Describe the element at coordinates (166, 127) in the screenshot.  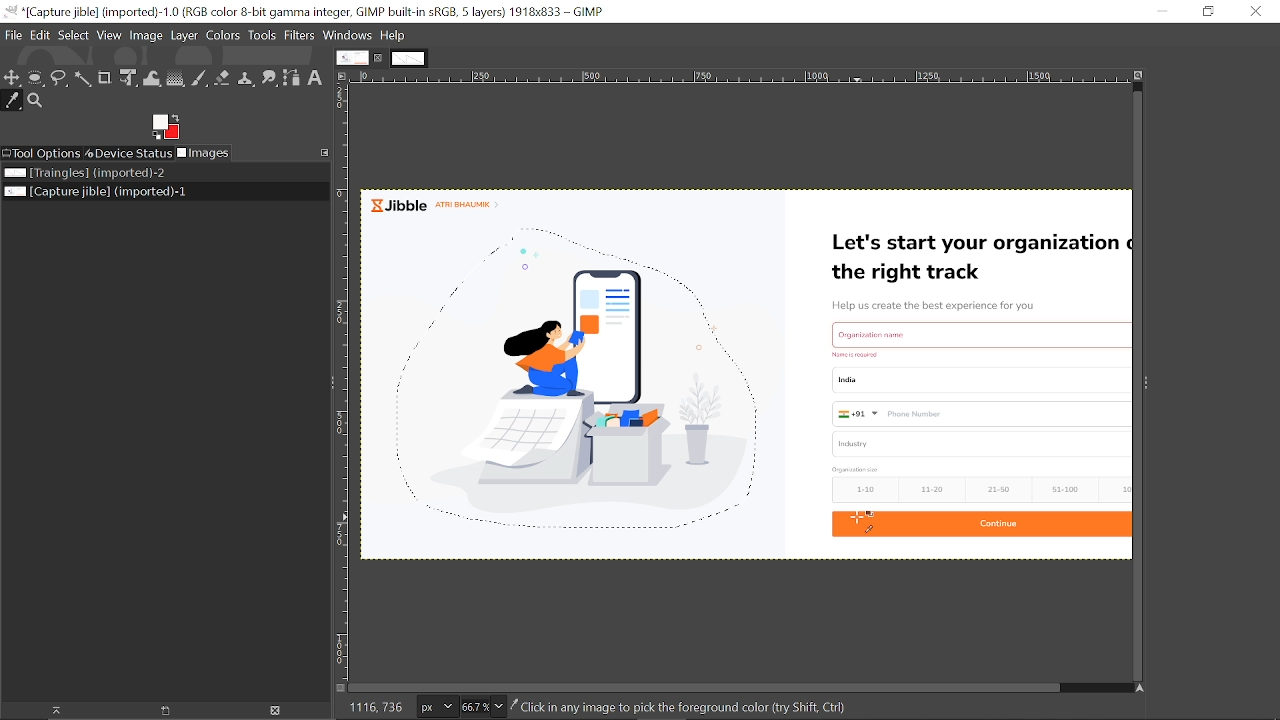
I see `Foreground tool` at that location.